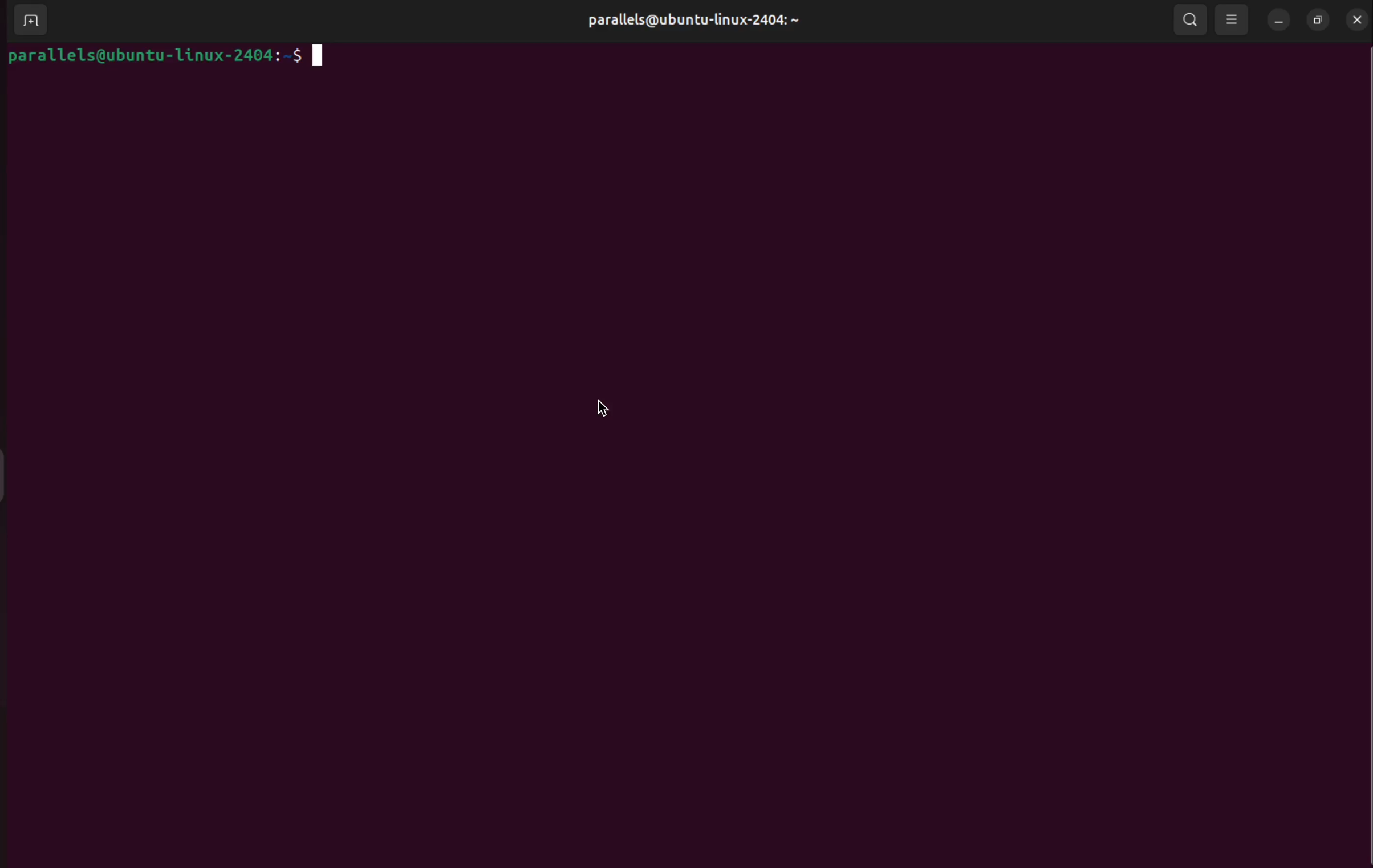 This screenshot has width=1373, height=868. What do you see at coordinates (1279, 22) in the screenshot?
I see `minimize` at bounding box center [1279, 22].